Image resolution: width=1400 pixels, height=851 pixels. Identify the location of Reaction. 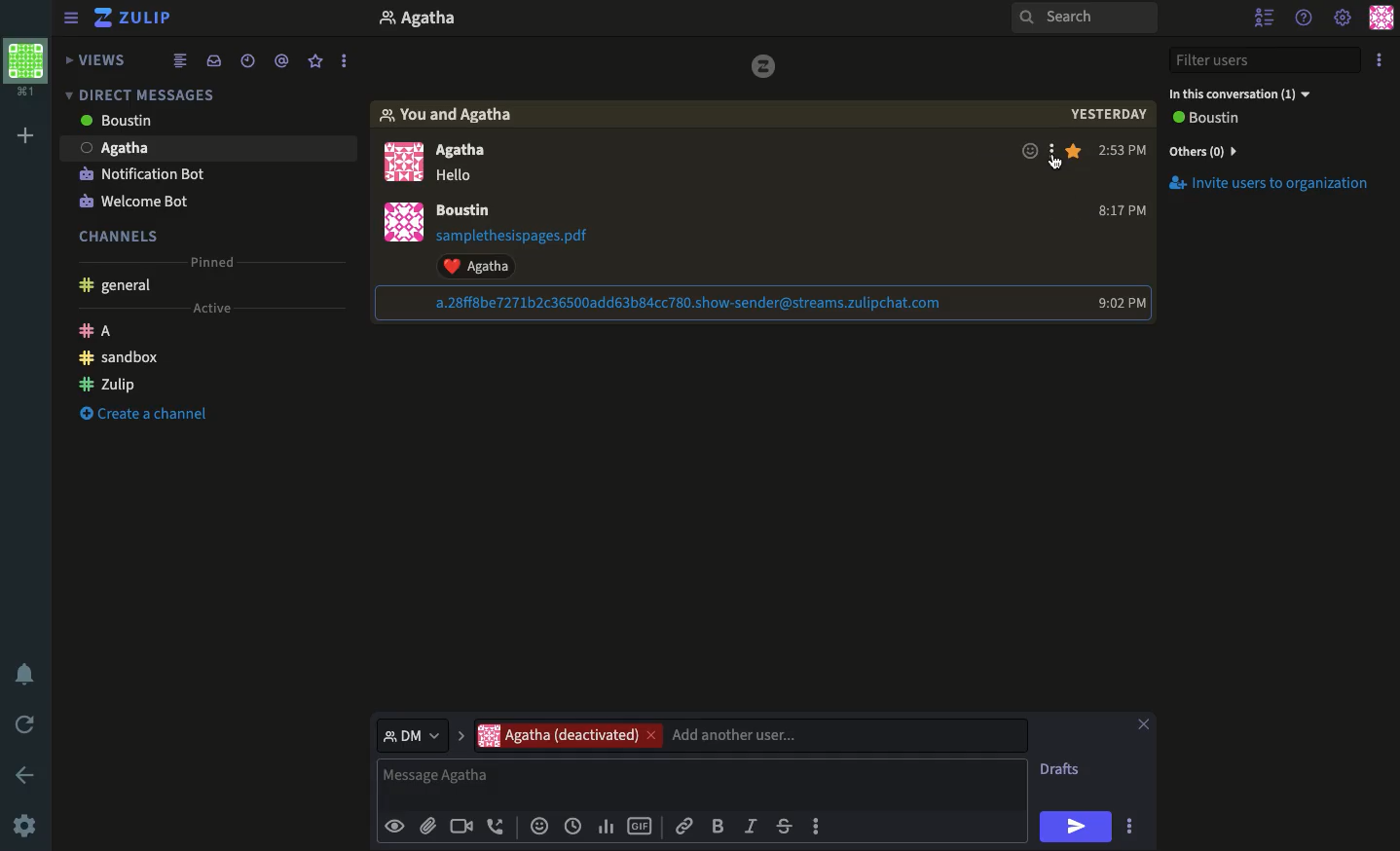
(487, 266).